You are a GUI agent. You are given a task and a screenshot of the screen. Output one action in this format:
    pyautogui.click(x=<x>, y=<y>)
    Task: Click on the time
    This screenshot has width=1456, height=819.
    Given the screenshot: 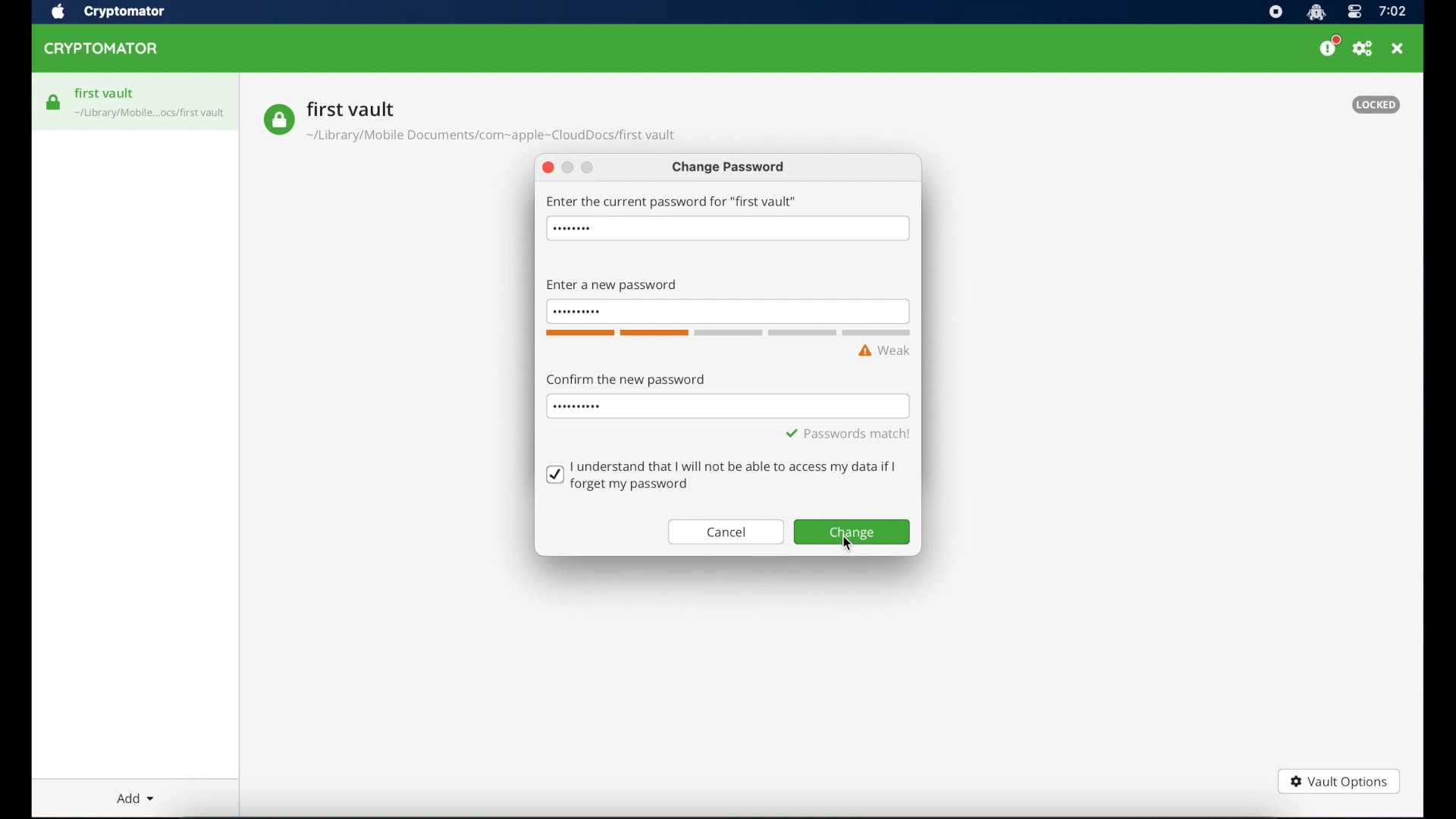 What is the action you would take?
    pyautogui.click(x=1392, y=12)
    